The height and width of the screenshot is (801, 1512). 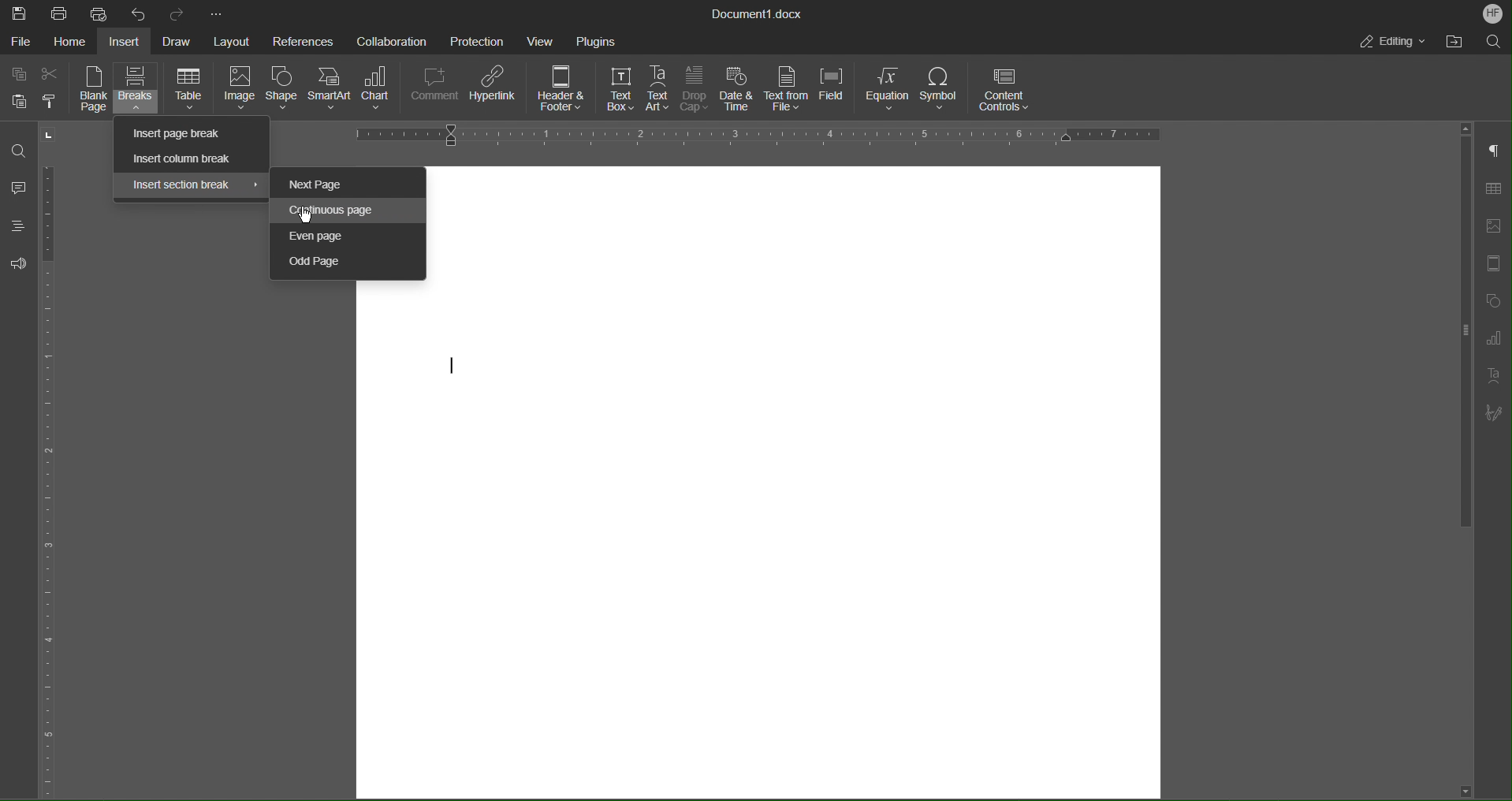 I want to click on Table, so click(x=1492, y=190).